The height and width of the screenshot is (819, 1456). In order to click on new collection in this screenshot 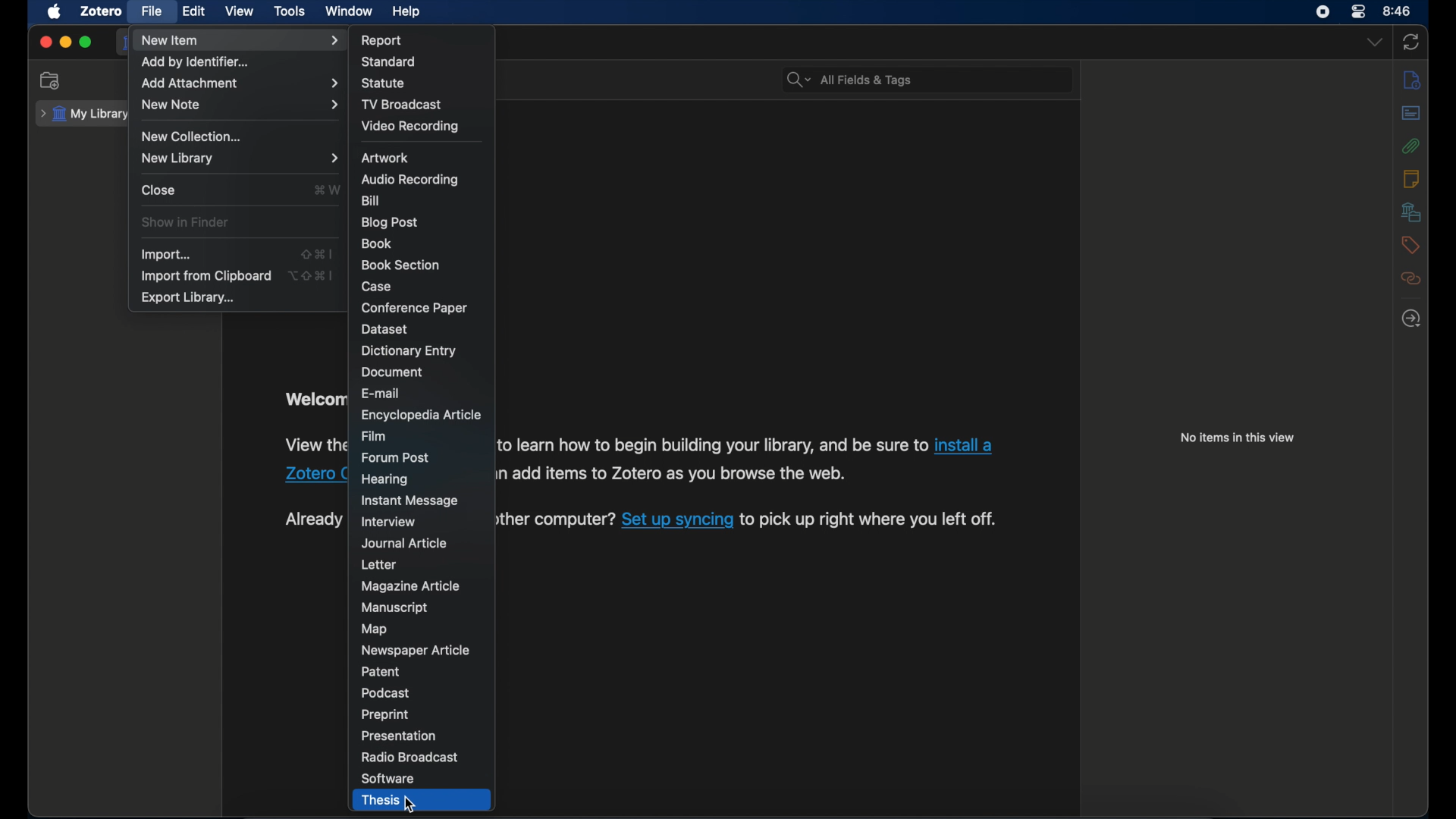, I will do `click(51, 81)`.